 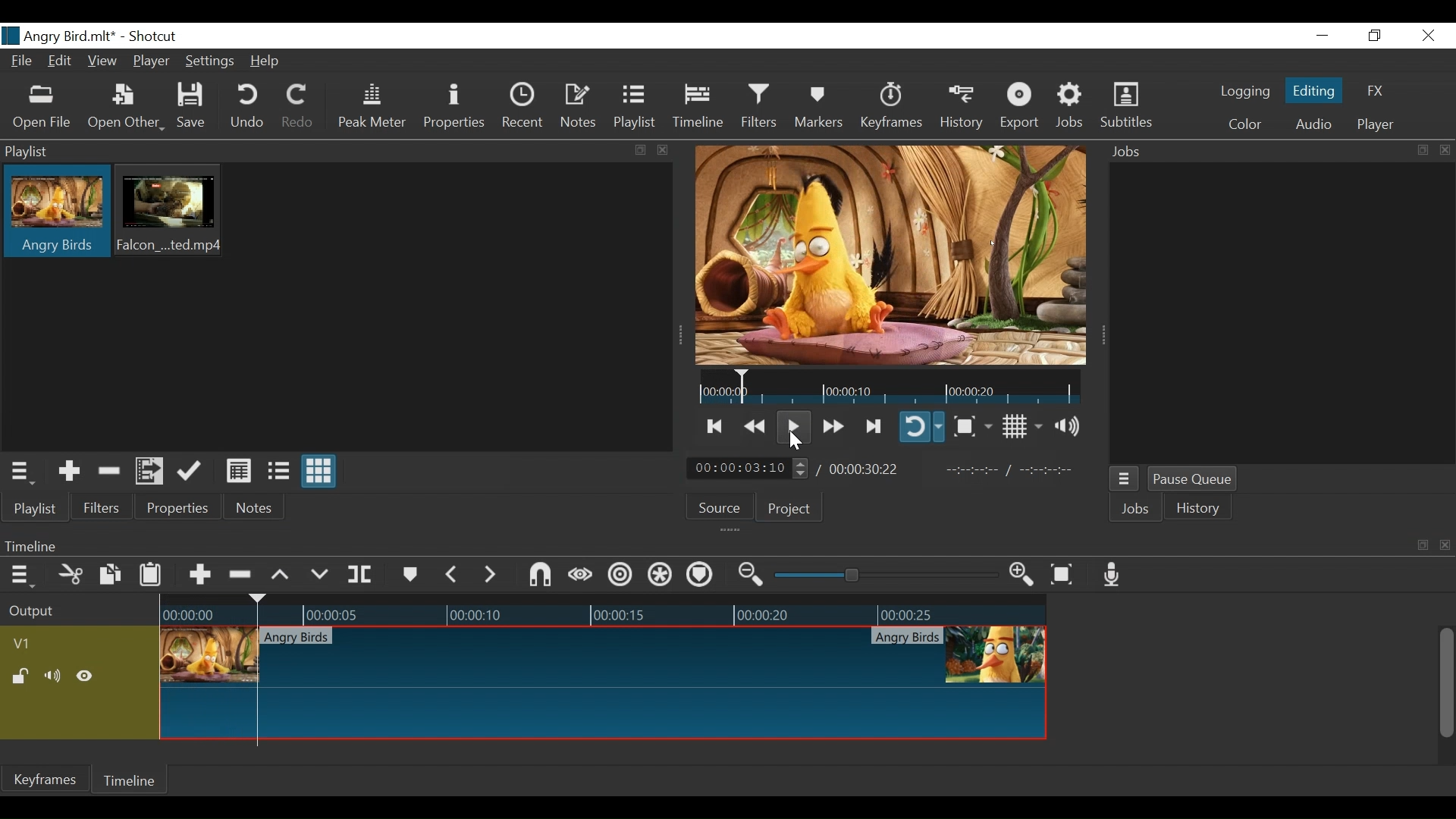 I want to click on Timeline, so click(x=698, y=108).